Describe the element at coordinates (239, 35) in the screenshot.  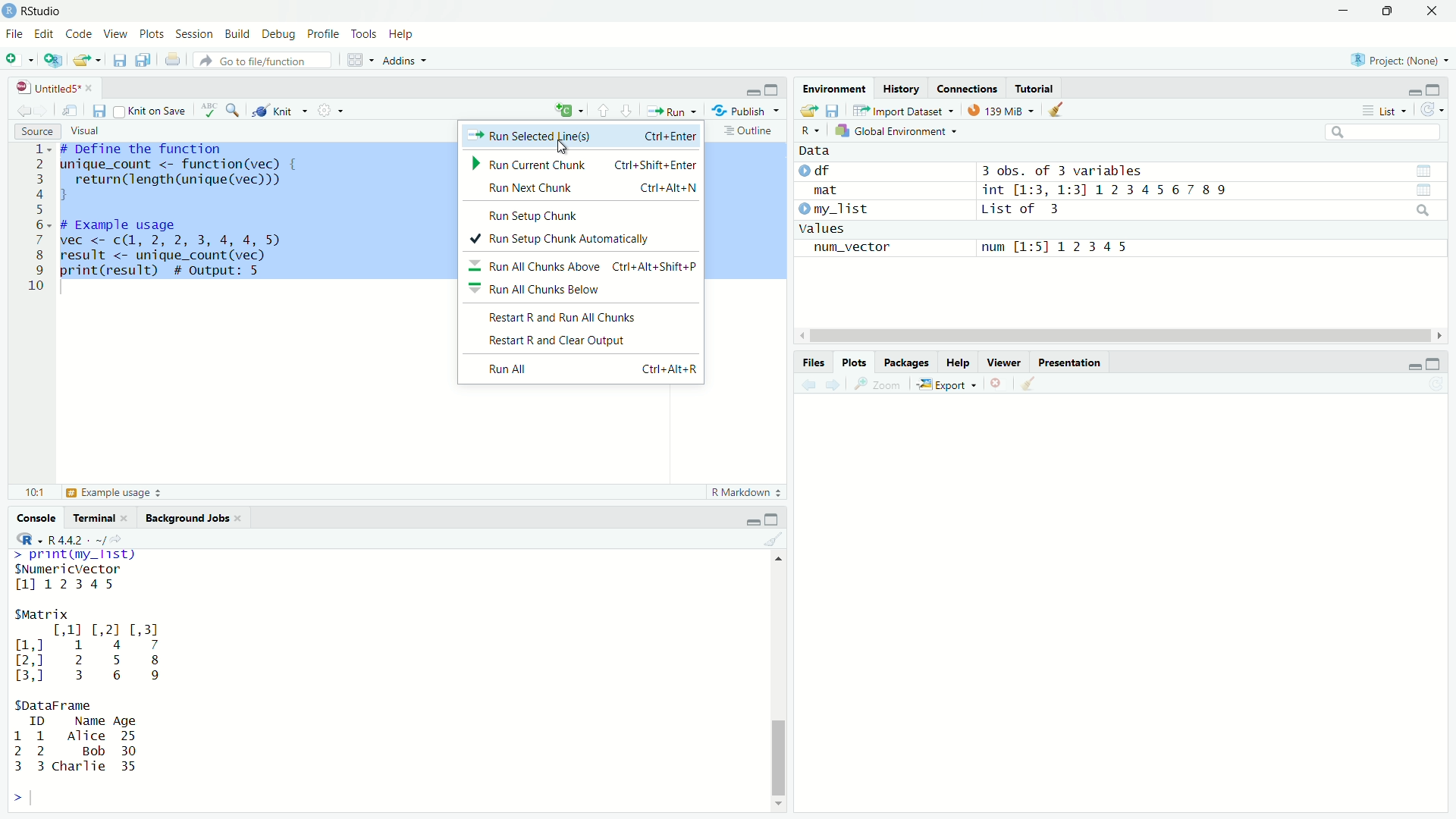
I see `Build` at that location.